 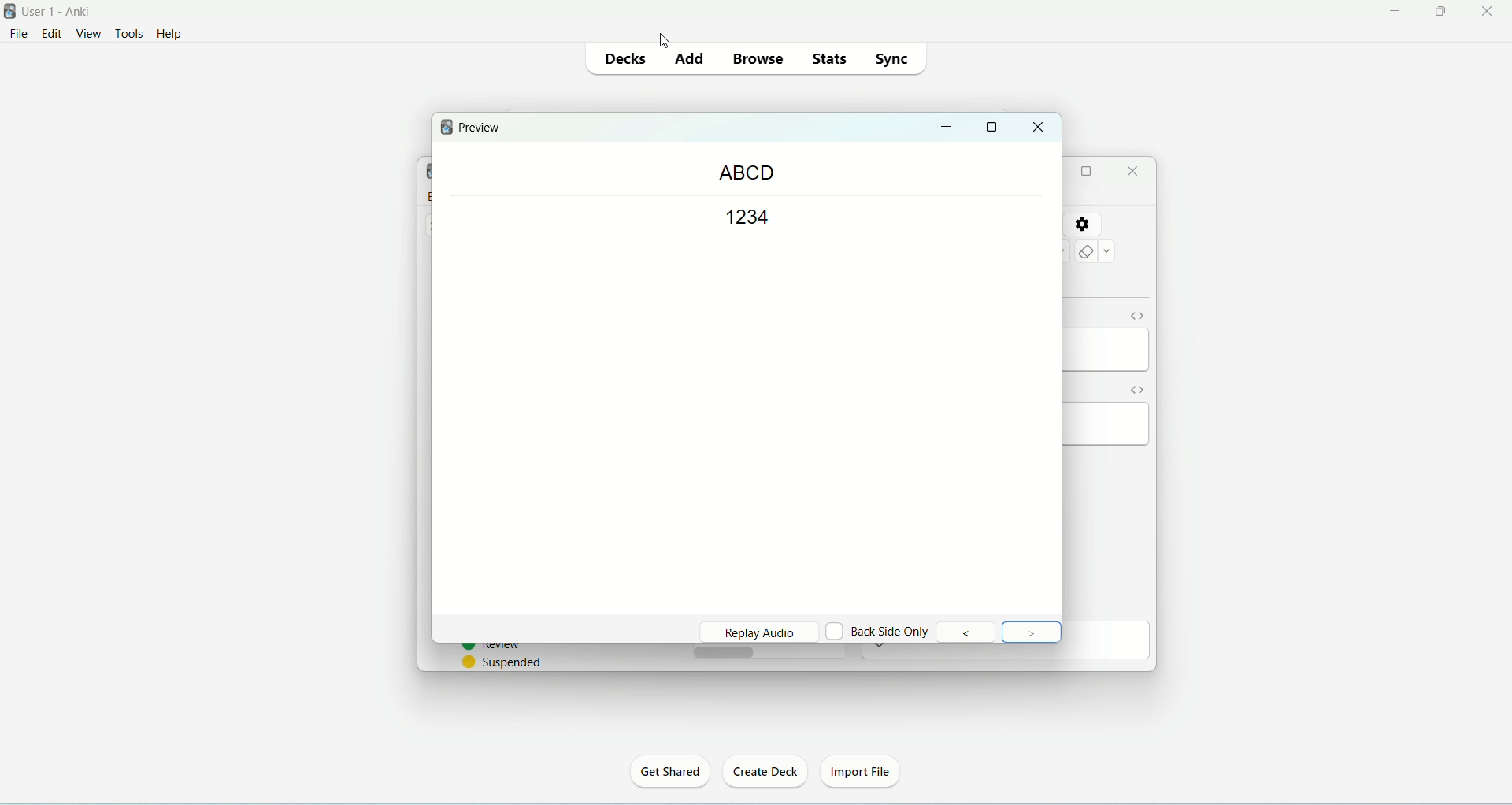 What do you see at coordinates (503, 662) in the screenshot?
I see `suspended` at bounding box center [503, 662].